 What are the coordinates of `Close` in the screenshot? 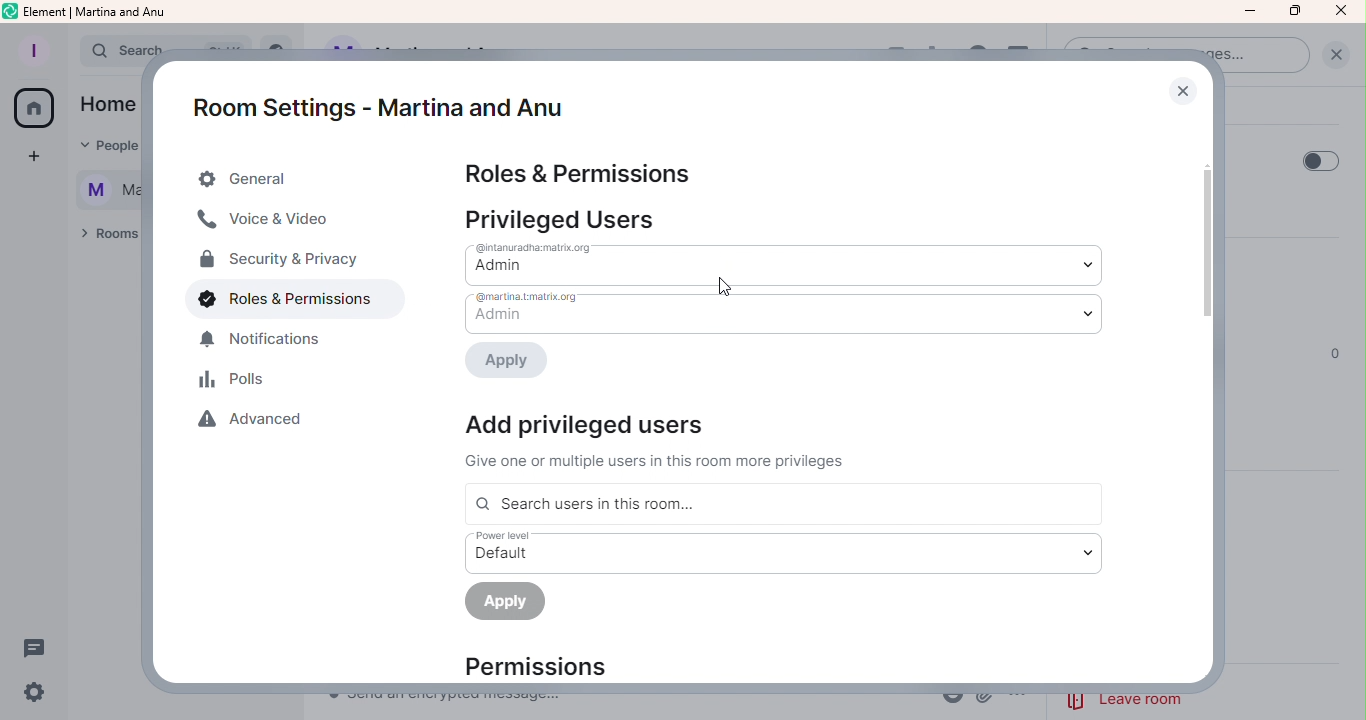 It's located at (1182, 90).